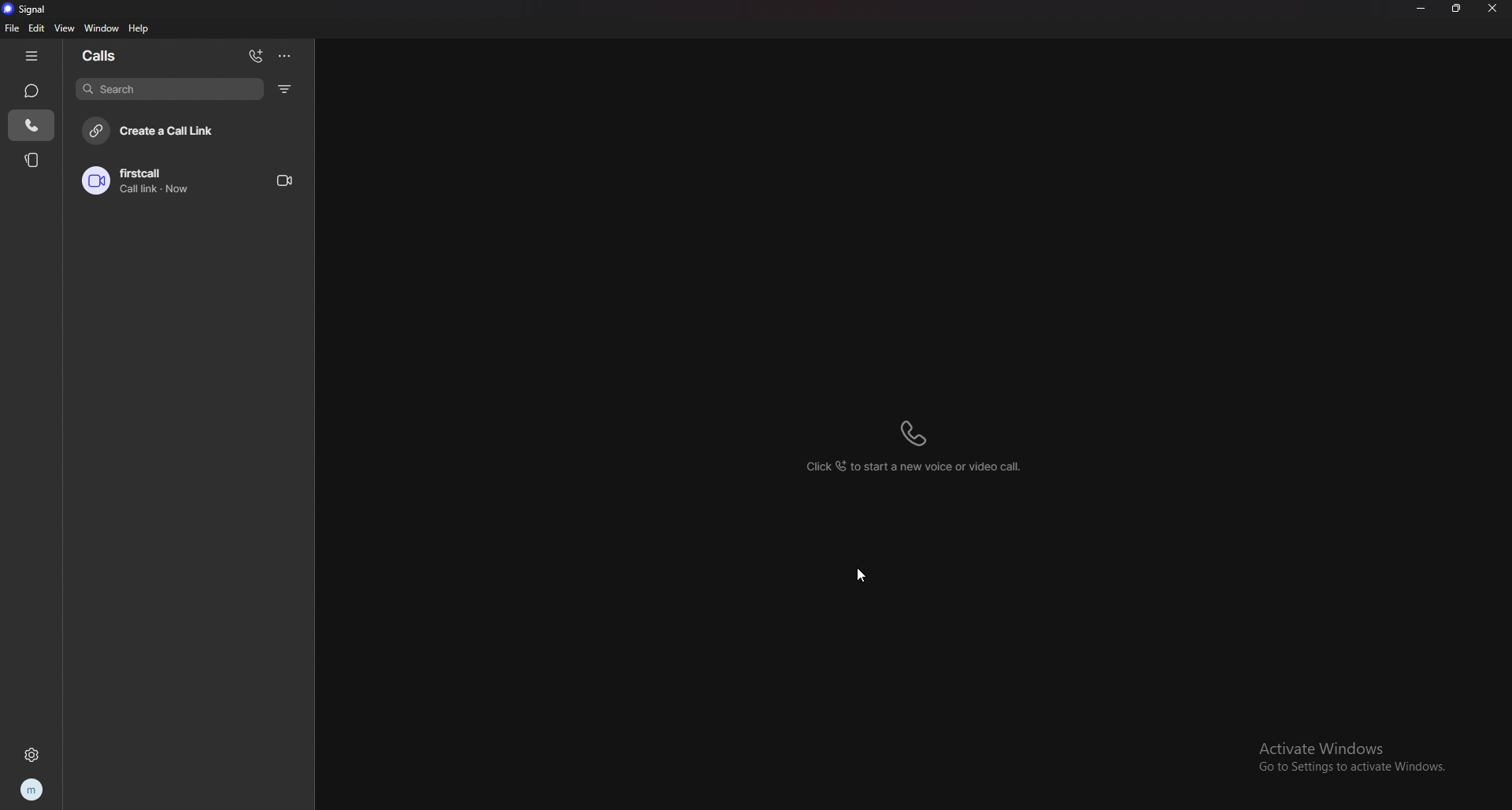 This screenshot has width=1512, height=810. Describe the element at coordinates (105, 54) in the screenshot. I see `calls` at that location.